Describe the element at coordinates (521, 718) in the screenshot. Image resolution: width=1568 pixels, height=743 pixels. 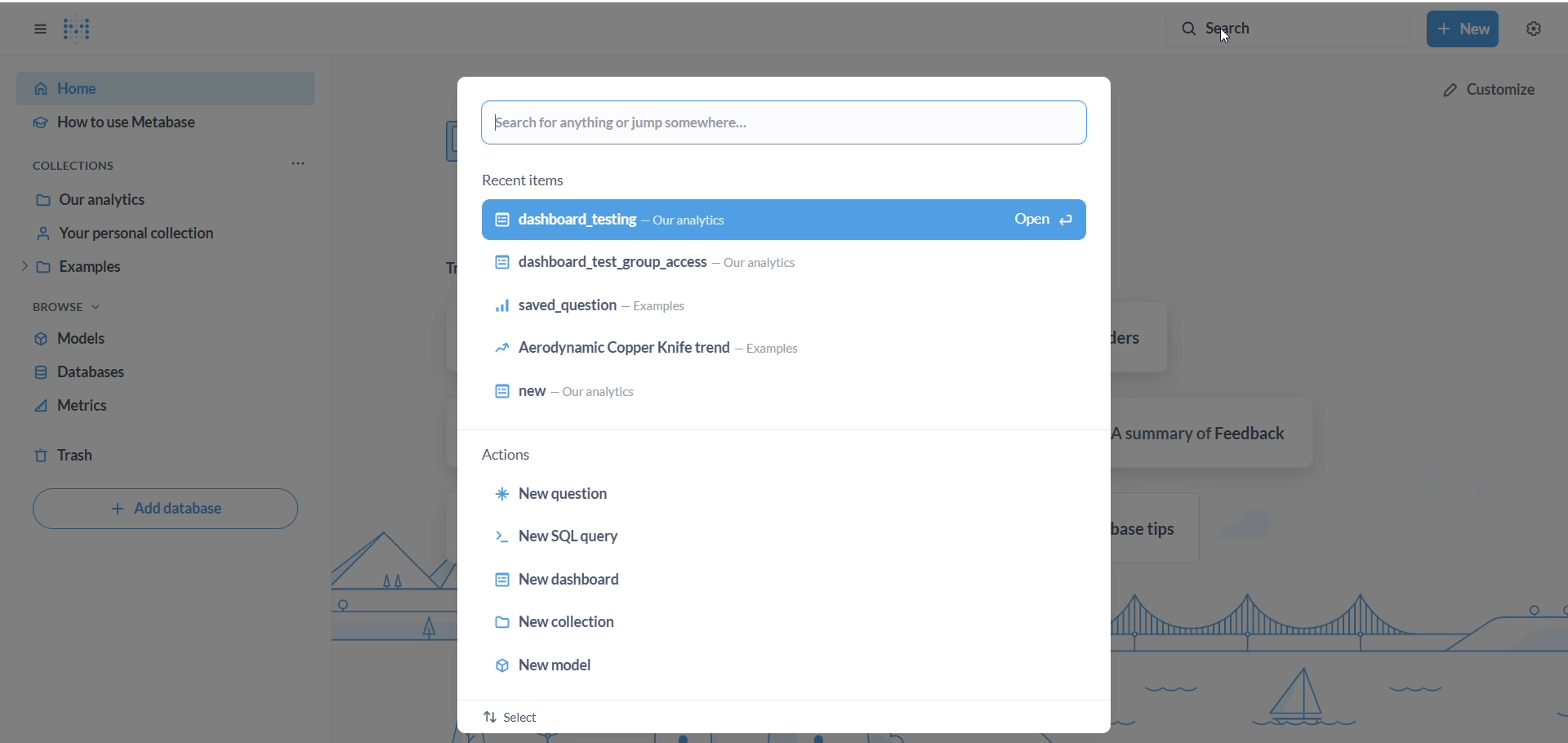
I see `select` at that location.